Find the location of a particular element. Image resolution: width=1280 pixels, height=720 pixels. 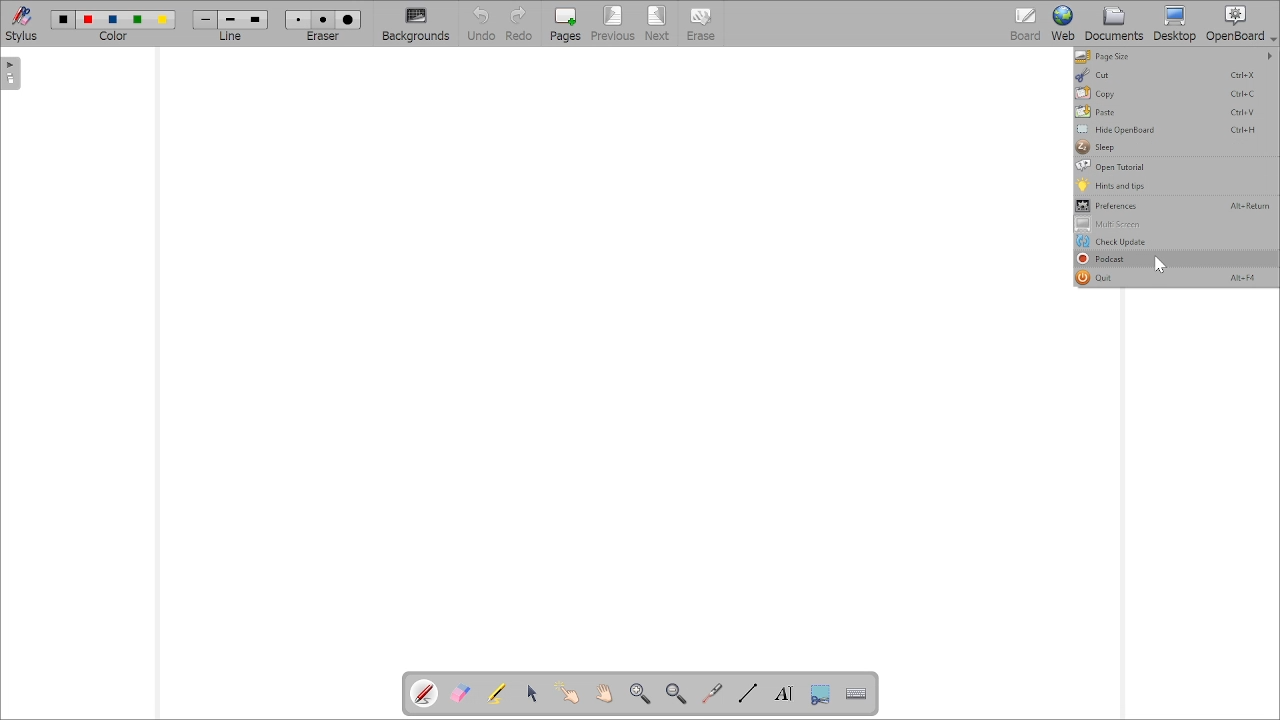

Pages is located at coordinates (563, 25).